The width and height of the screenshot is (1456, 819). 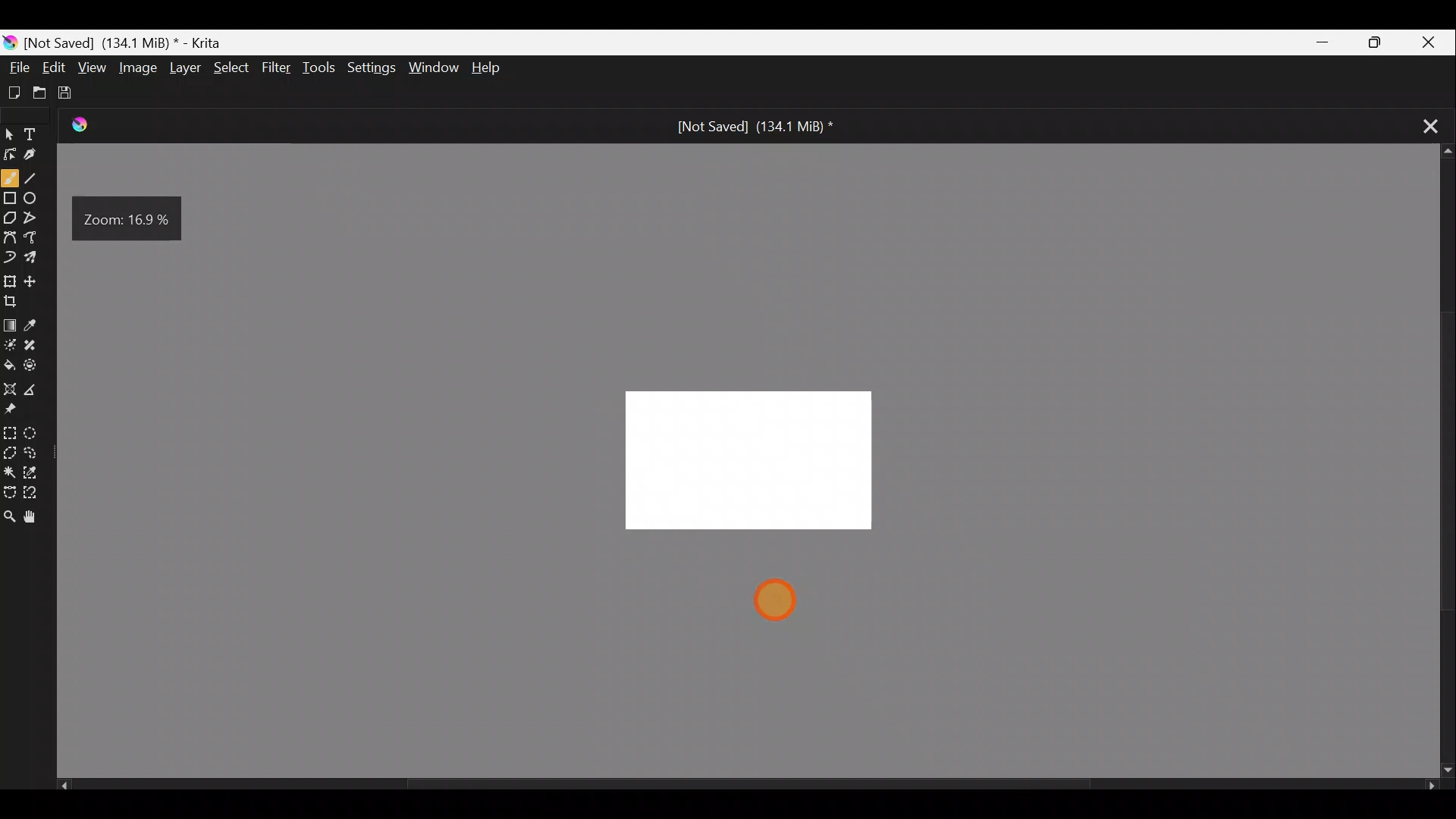 What do you see at coordinates (1315, 44) in the screenshot?
I see `Minimize` at bounding box center [1315, 44].